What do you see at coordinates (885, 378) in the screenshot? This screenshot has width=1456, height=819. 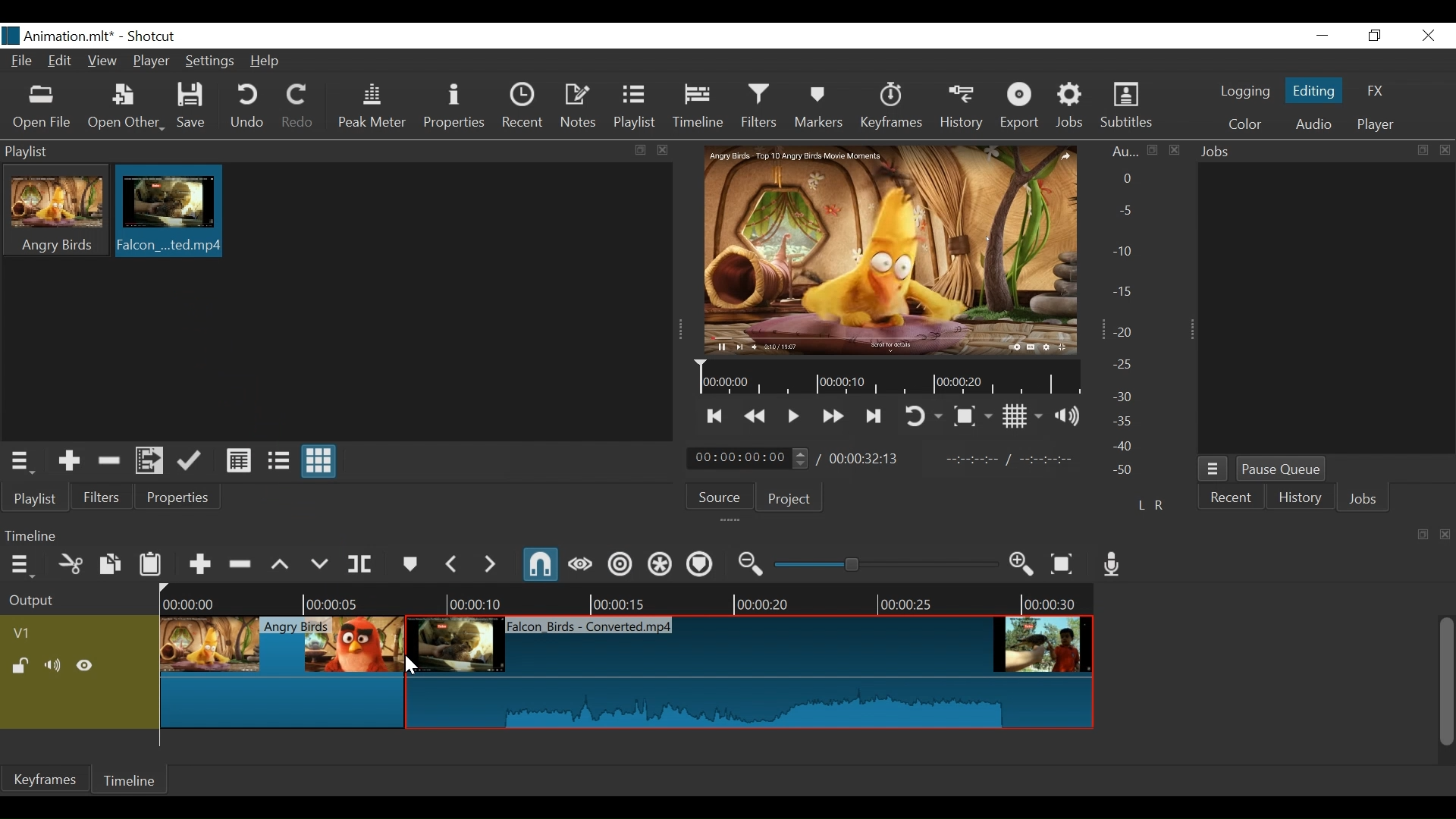 I see `Timeline` at bounding box center [885, 378].